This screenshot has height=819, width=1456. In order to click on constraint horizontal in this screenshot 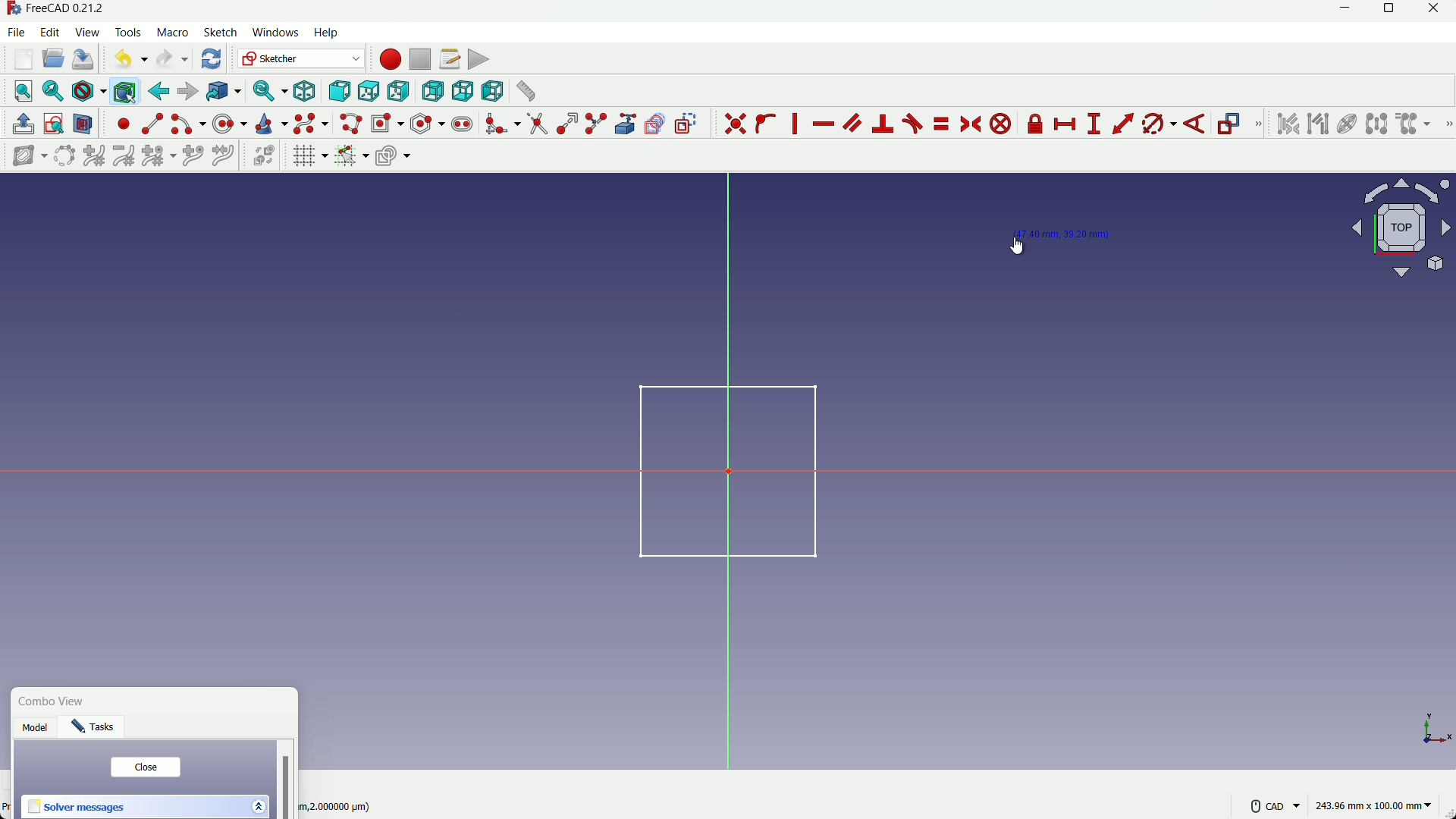, I will do `click(823, 125)`.